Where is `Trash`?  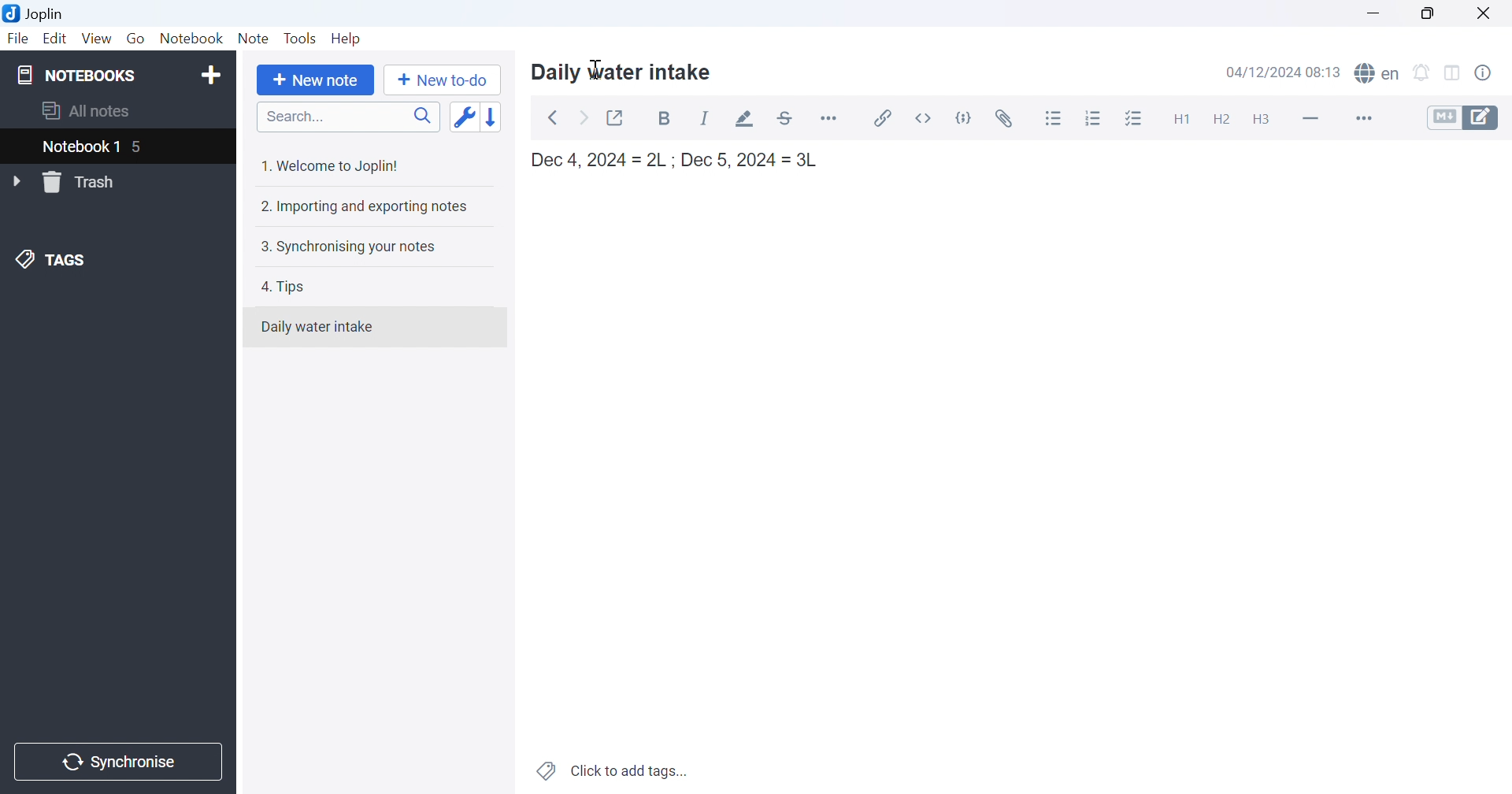 Trash is located at coordinates (81, 182).